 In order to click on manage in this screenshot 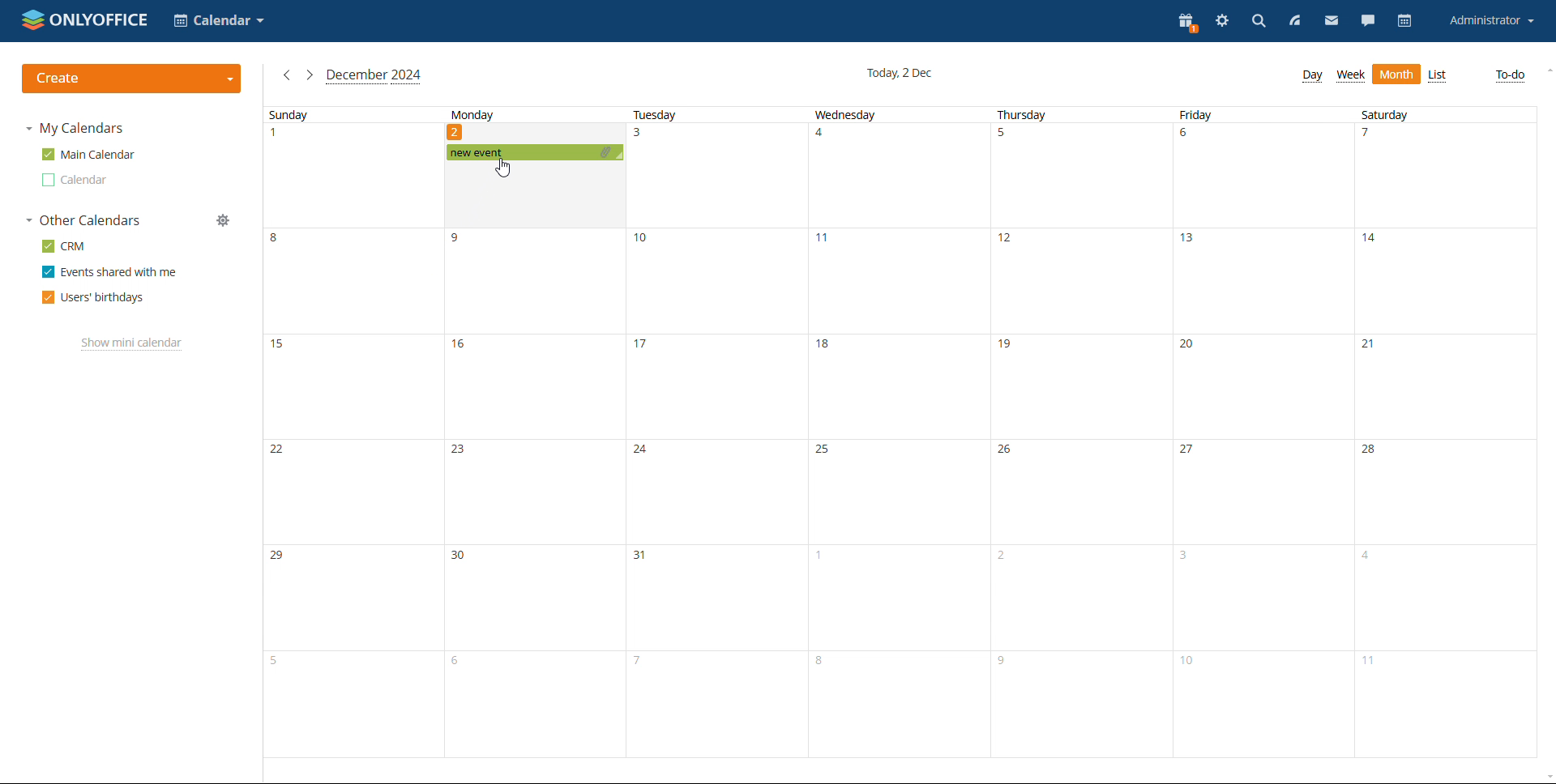, I will do `click(223, 220)`.